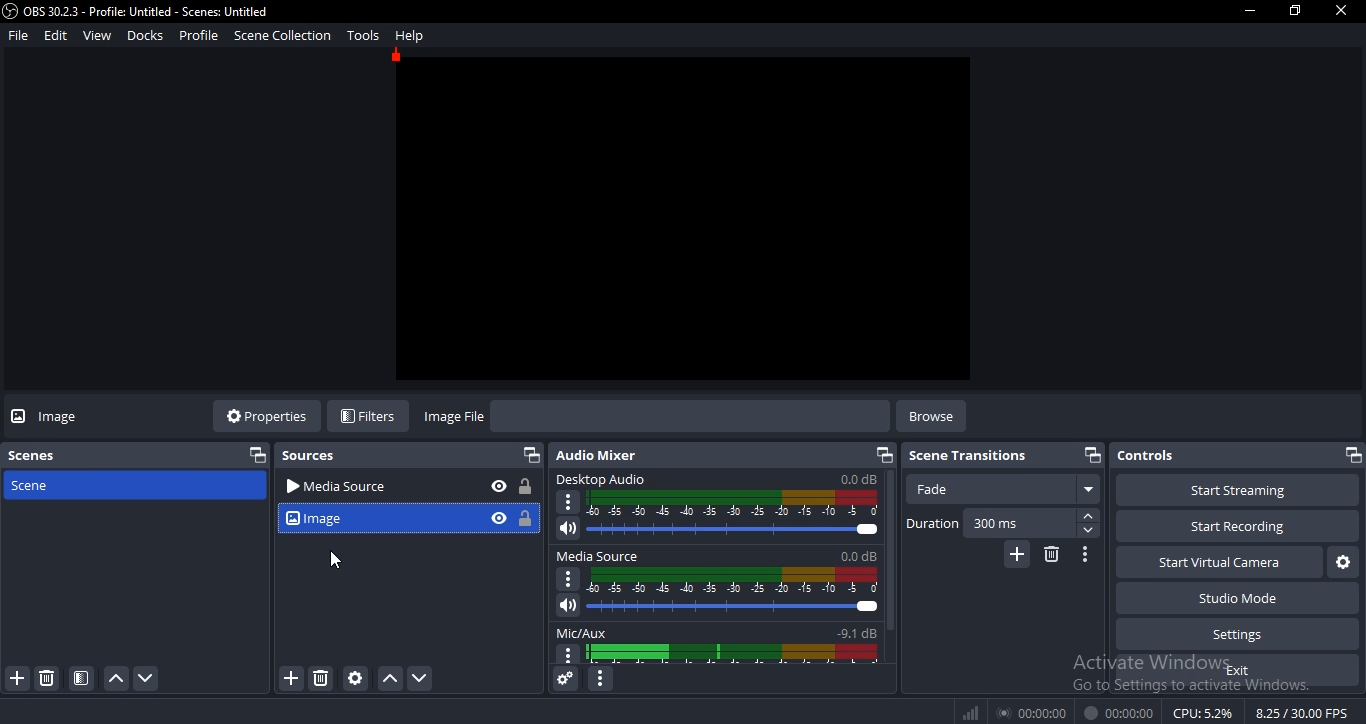 The image size is (1366, 724). What do you see at coordinates (735, 654) in the screenshot?
I see `display` at bounding box center [735, 654].